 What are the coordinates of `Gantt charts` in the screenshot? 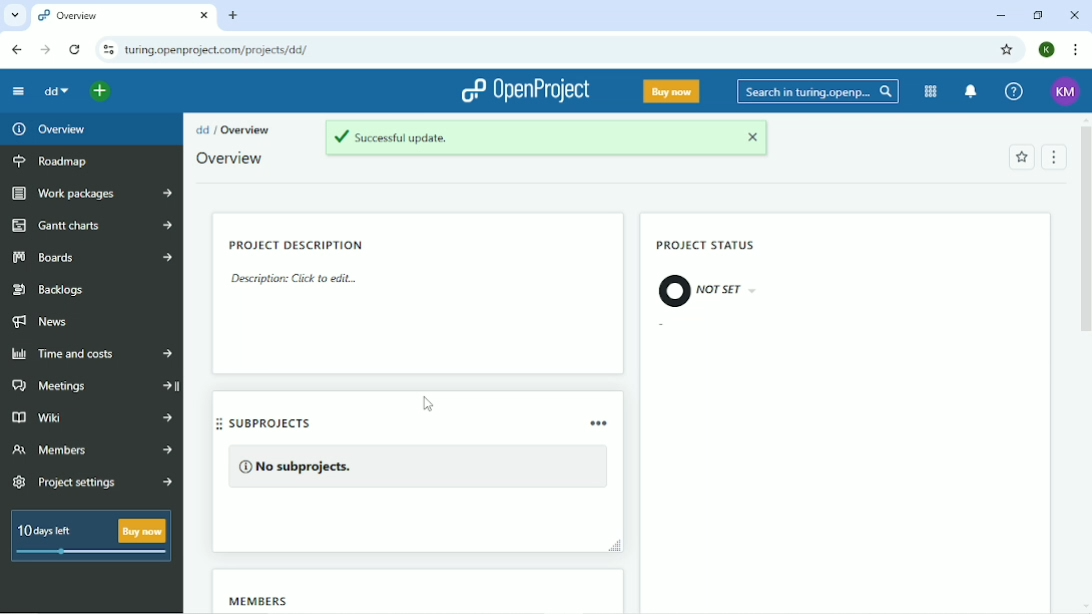 It's located at (93, 227).